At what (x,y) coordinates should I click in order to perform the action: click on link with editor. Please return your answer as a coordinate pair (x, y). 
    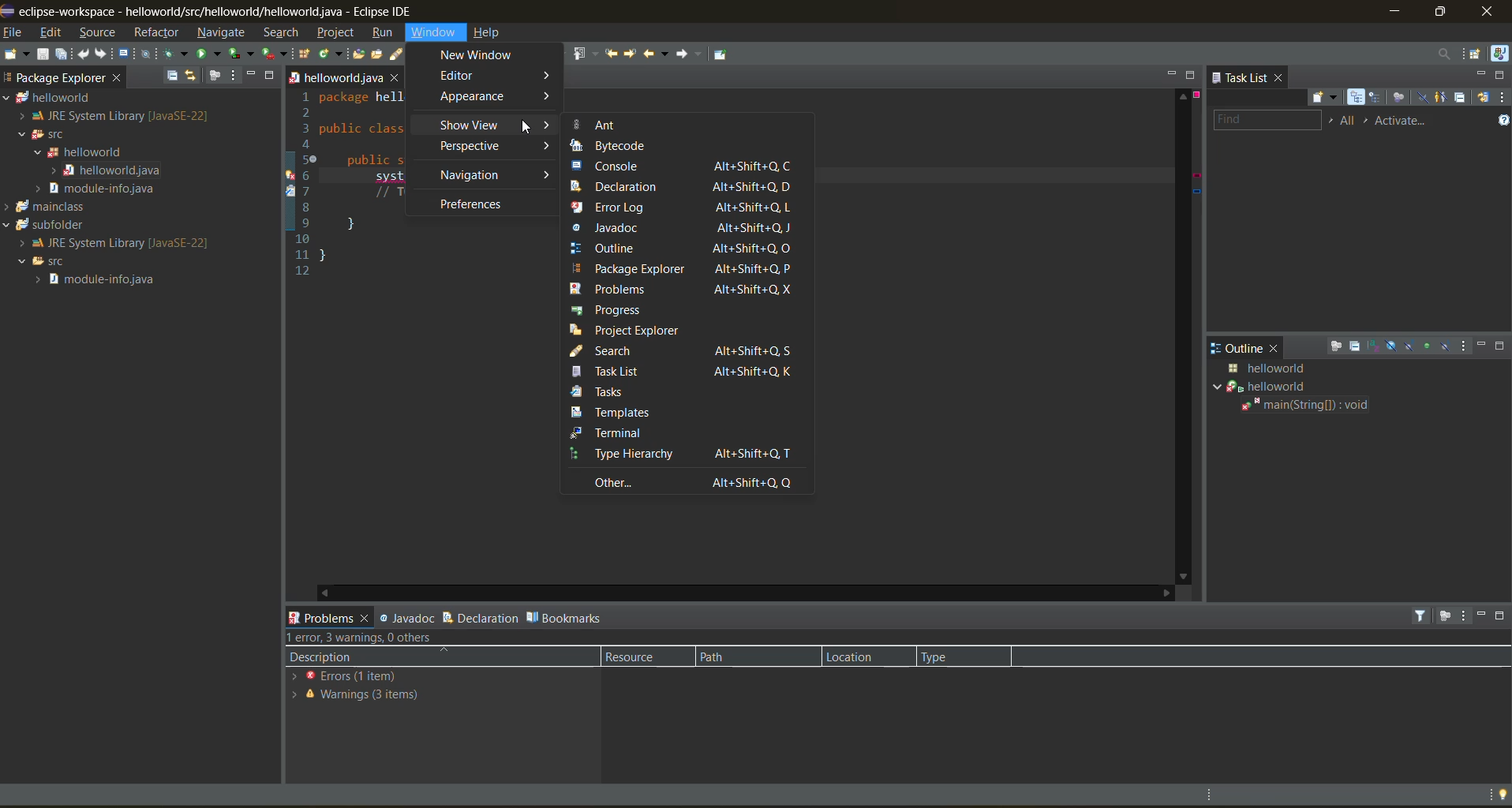
    Looking at the image, I should click on (194, 77).